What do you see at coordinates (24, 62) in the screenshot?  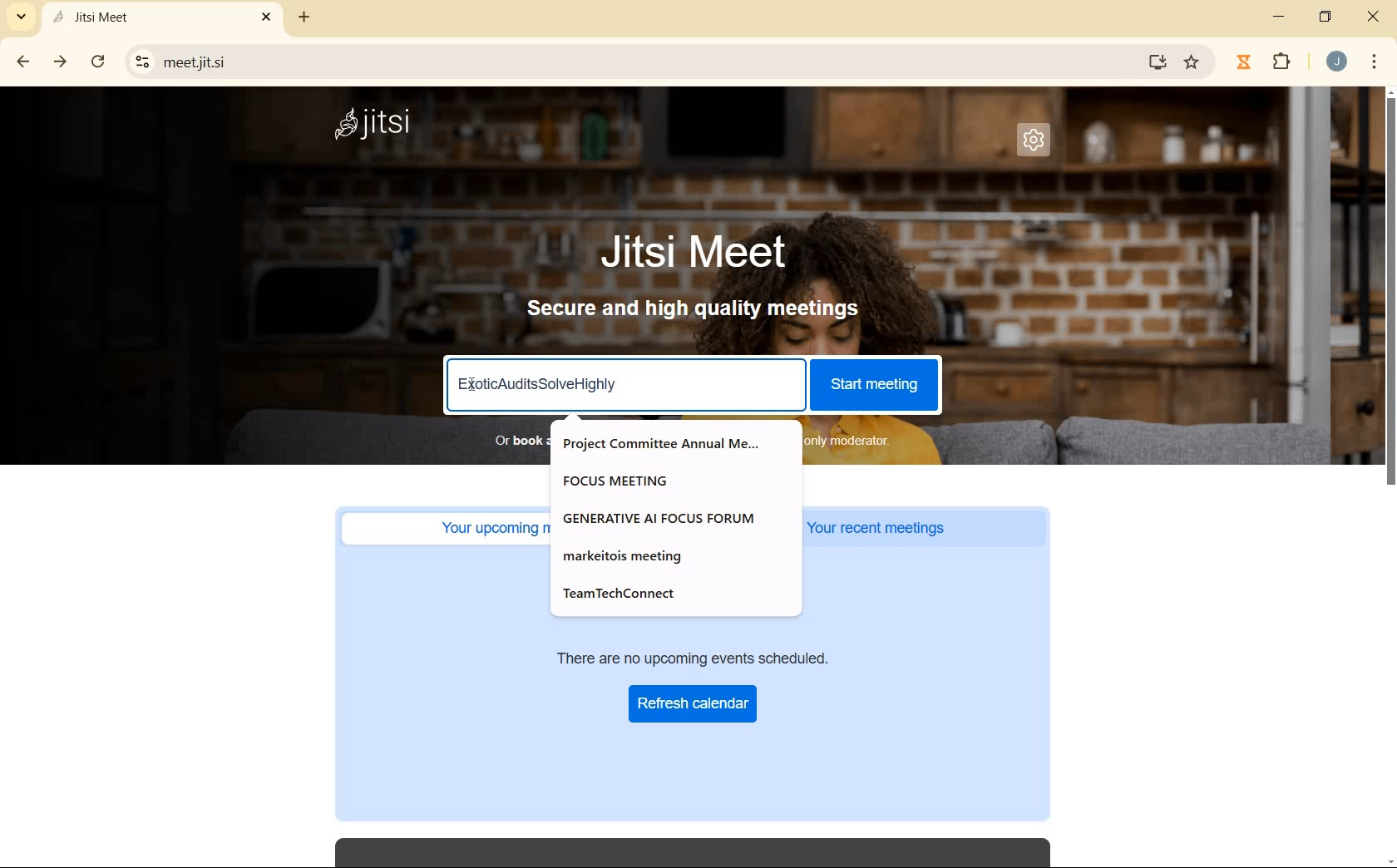 I see `back` at bounding box center [24, 62].